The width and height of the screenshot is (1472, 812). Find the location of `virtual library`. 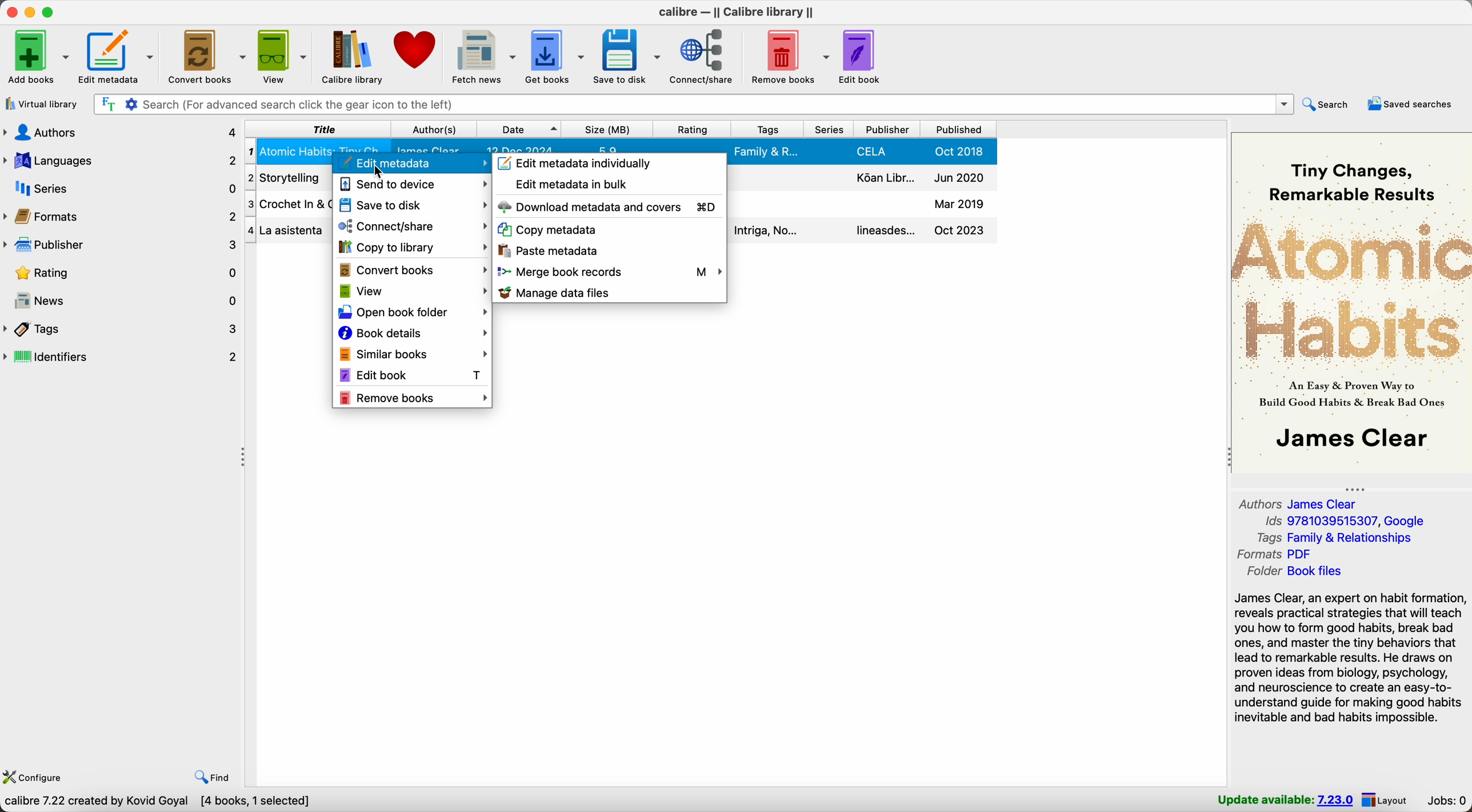

virtual library is located at coordinates (41, 105).